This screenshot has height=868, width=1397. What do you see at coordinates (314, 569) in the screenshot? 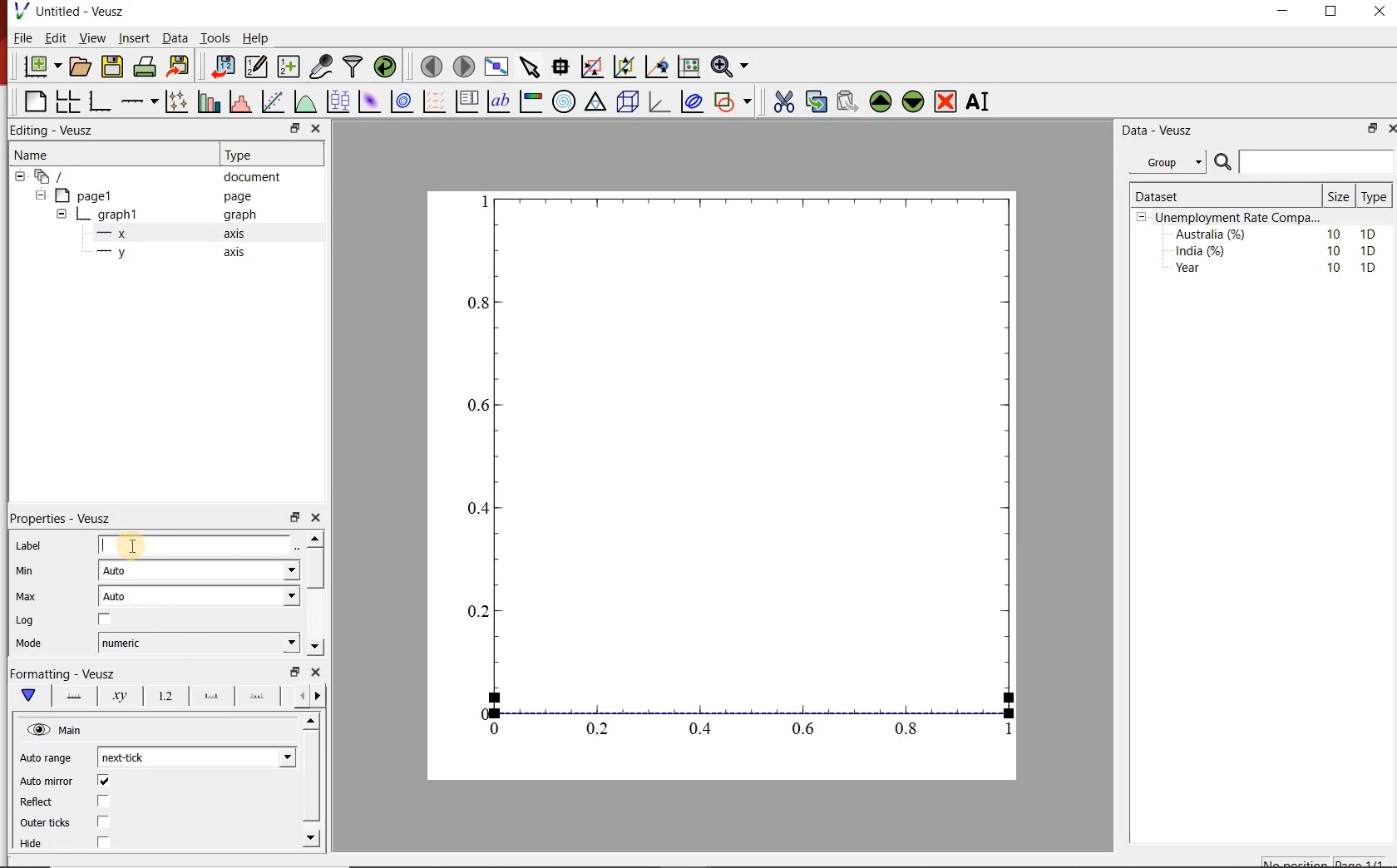
I see `scroll bar` at bounding box center [314, 569].